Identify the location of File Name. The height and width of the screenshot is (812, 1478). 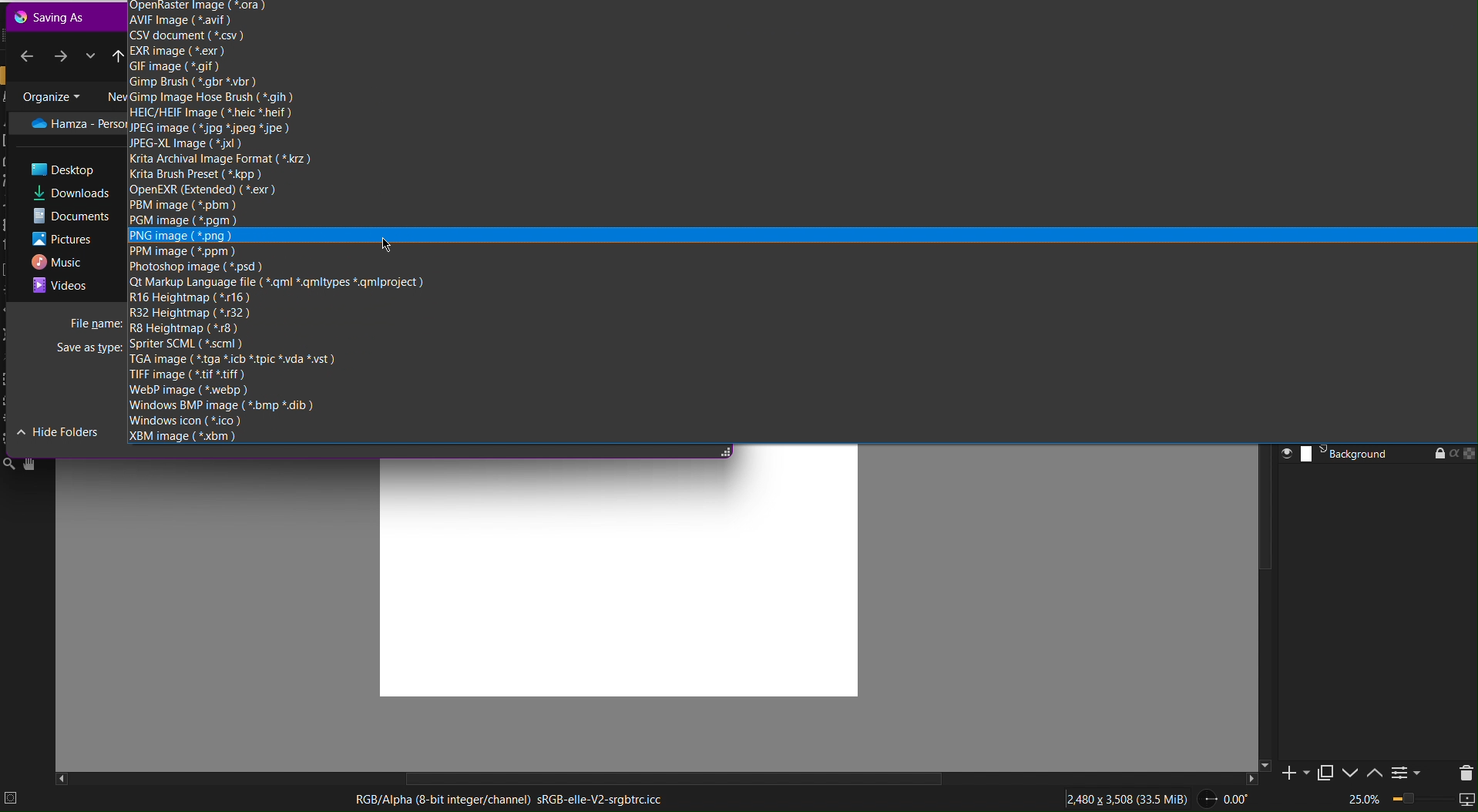
(95, 321).